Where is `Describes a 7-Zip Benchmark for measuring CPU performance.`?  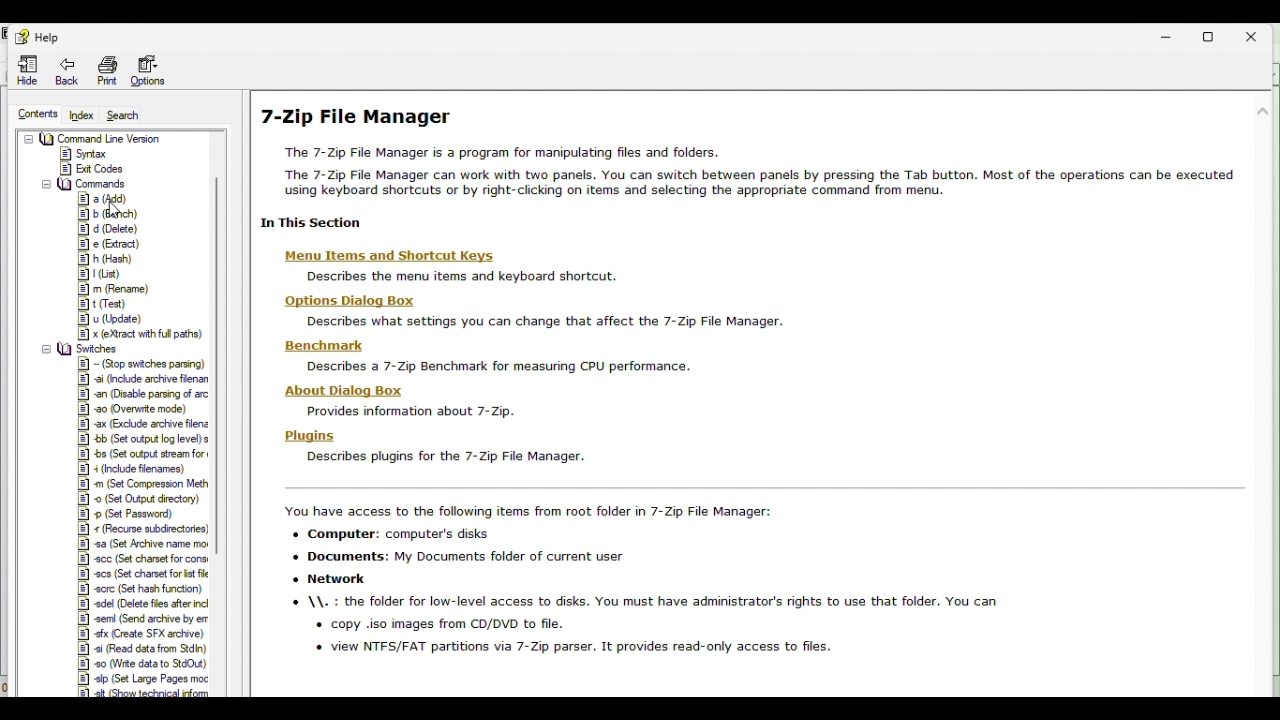
Describes a 7-Zip Benchmark for measuring CPU performance. is located at coordinates (495, 367).